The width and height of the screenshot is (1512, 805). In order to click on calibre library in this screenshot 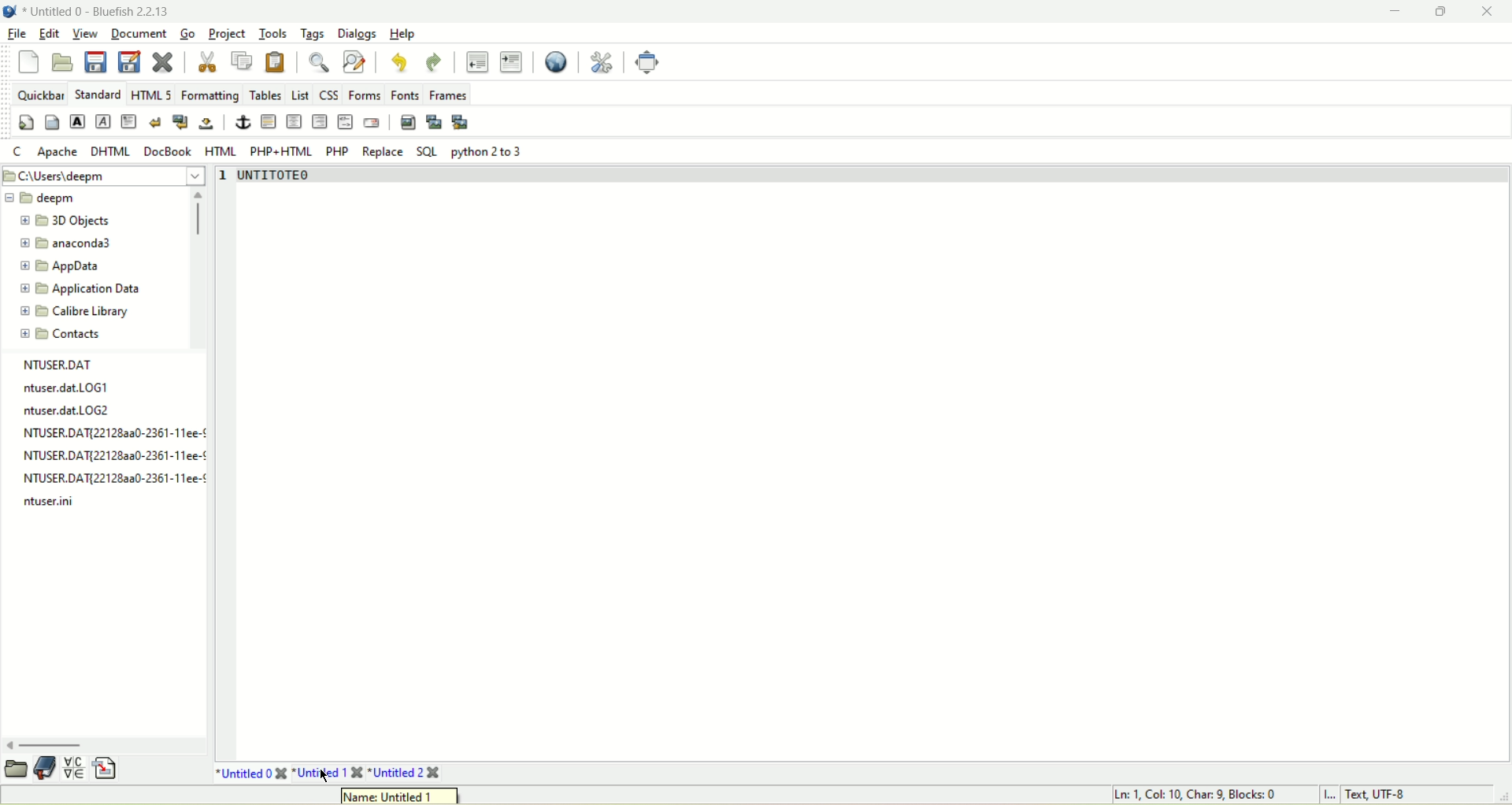, I will do `click(76, 310)`.